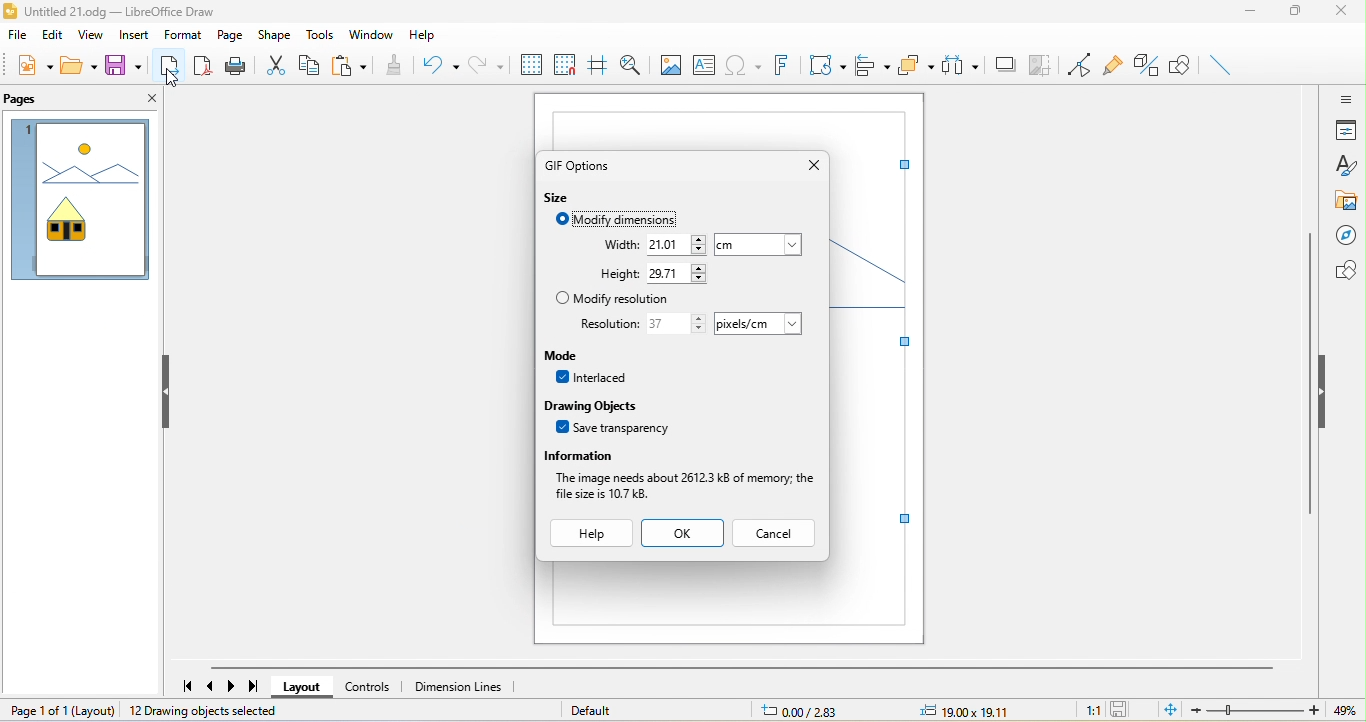 Image resolution: width=1366 pixels, height=722 pixels. What do you see at coordinates (1041, 66) in the screenshot?
I see `crop` at bounding box center [1041, 66].